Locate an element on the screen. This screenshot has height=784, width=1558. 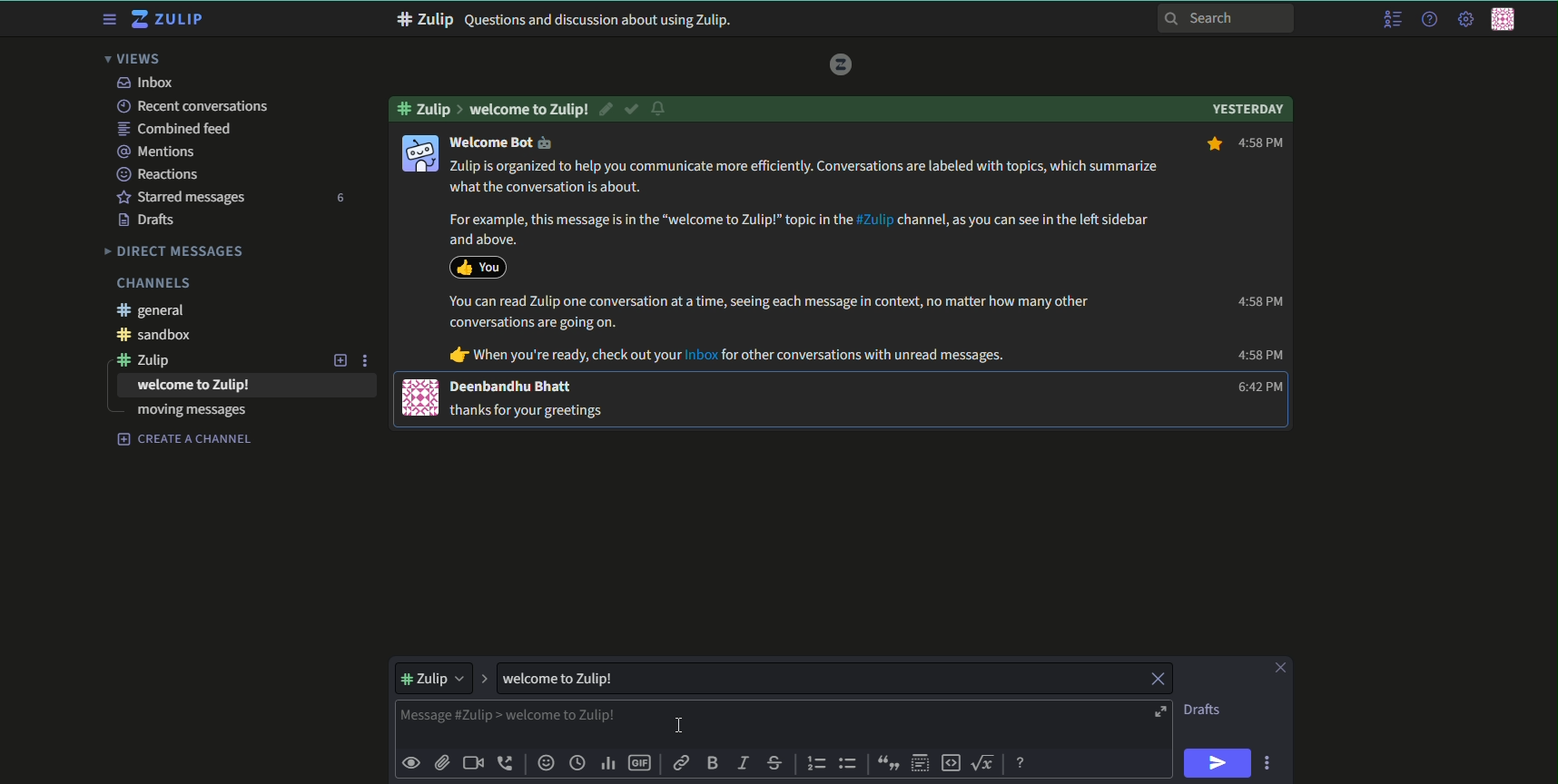
quote is located at coordinates (885, 763).